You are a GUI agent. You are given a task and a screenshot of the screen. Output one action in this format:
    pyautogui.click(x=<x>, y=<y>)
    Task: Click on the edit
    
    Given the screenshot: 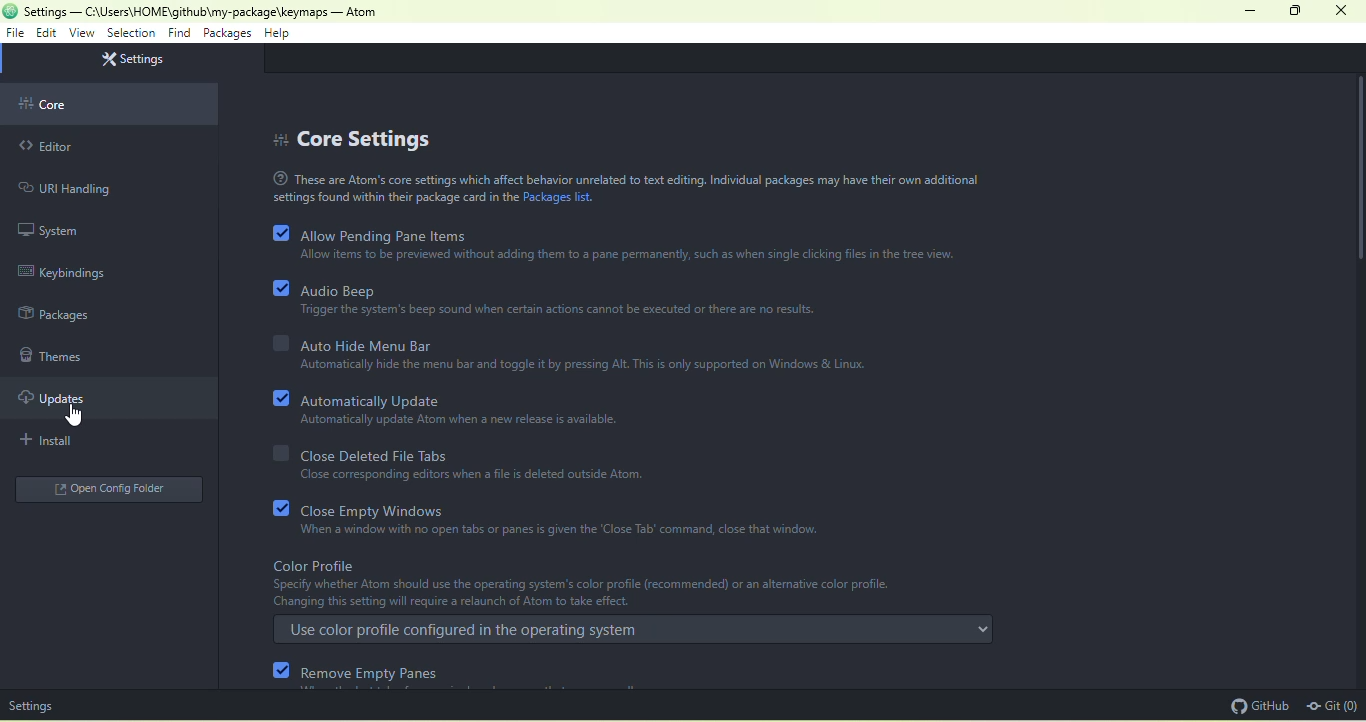 What is the action you would take?
    pyautogui.click(x=46, y=33)
    